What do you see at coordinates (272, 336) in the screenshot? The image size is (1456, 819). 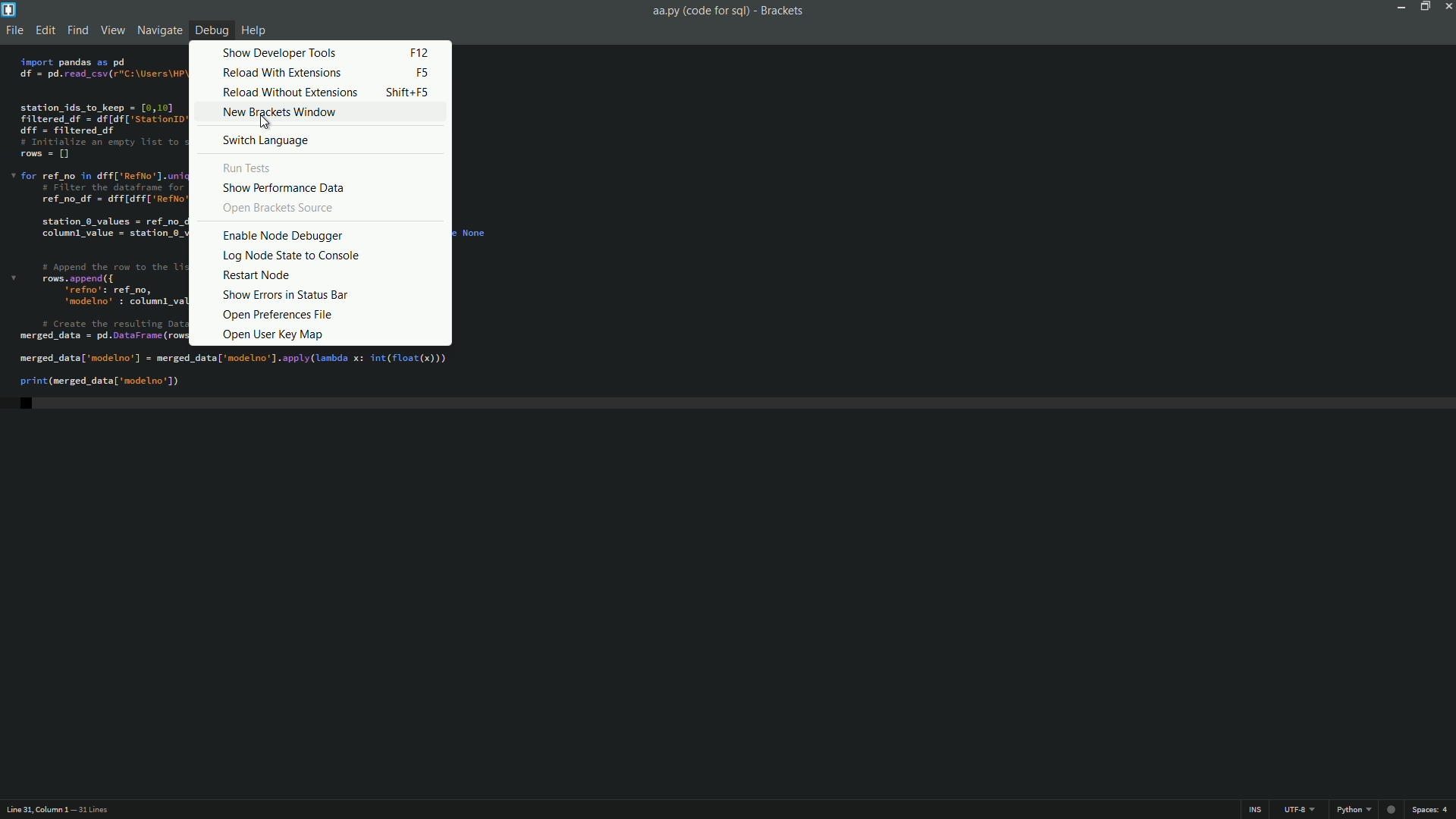 I see `Open user key map` at bounding box center [272, 336].